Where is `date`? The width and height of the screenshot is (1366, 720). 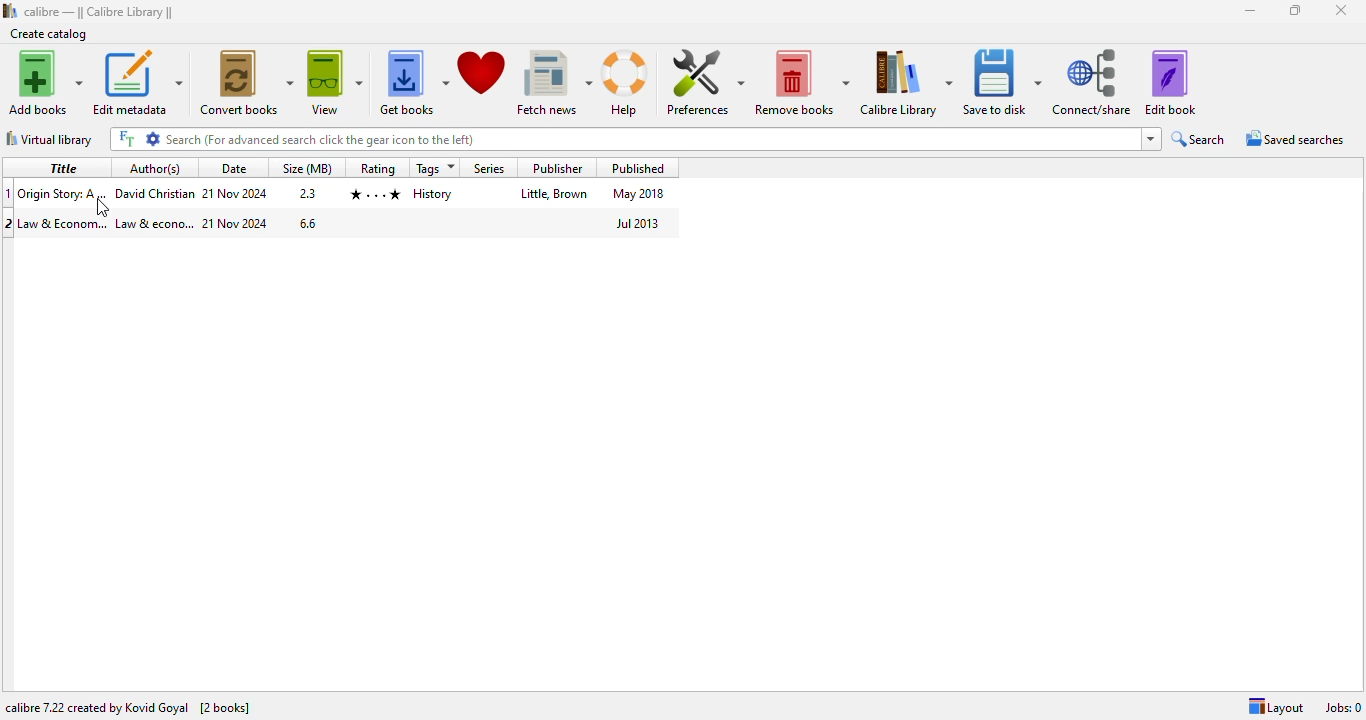 date is located at coordinates (236, 193).